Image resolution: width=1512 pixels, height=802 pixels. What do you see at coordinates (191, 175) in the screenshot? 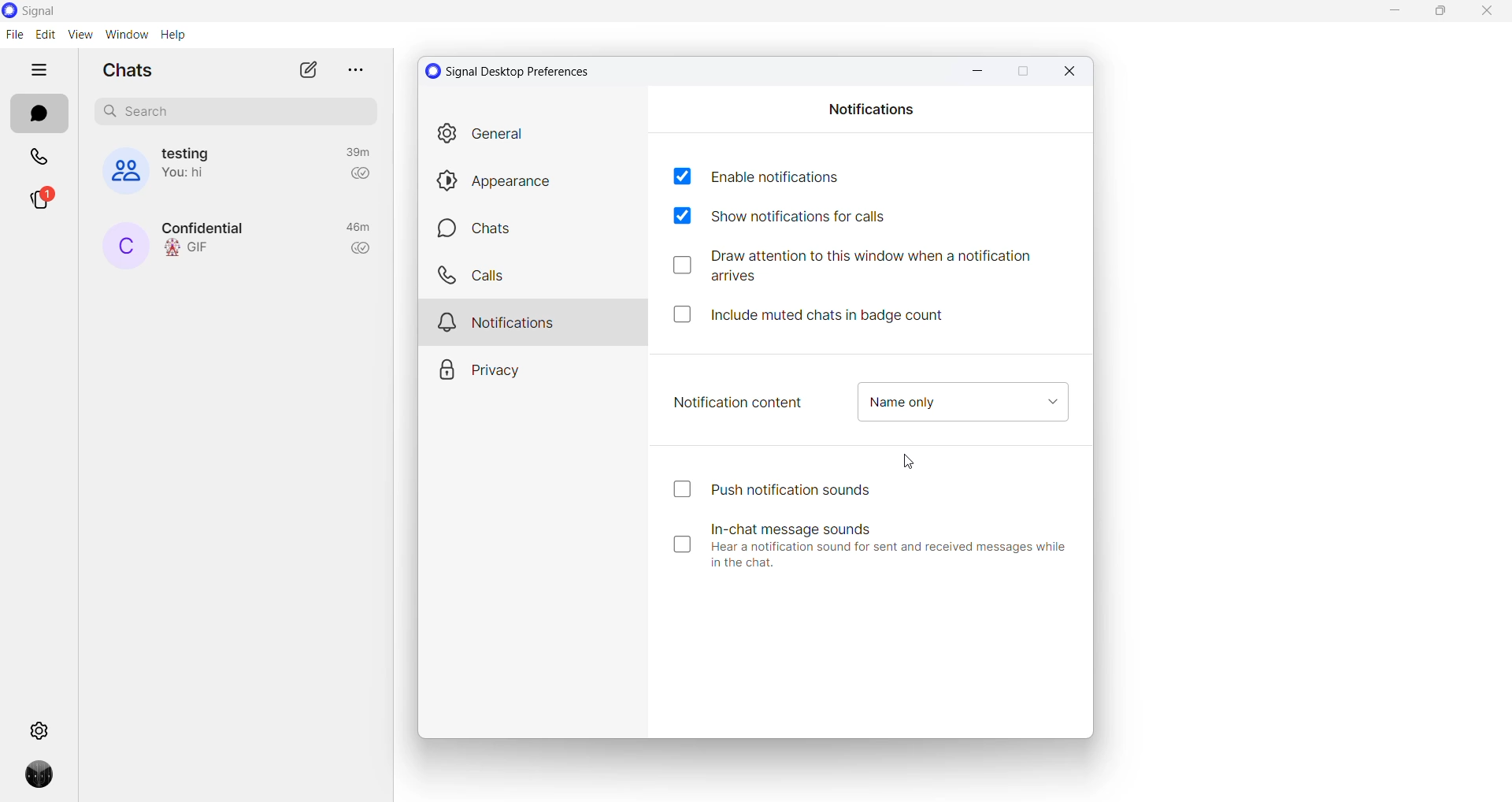
I see `last message` at bounding box center [191, 175].